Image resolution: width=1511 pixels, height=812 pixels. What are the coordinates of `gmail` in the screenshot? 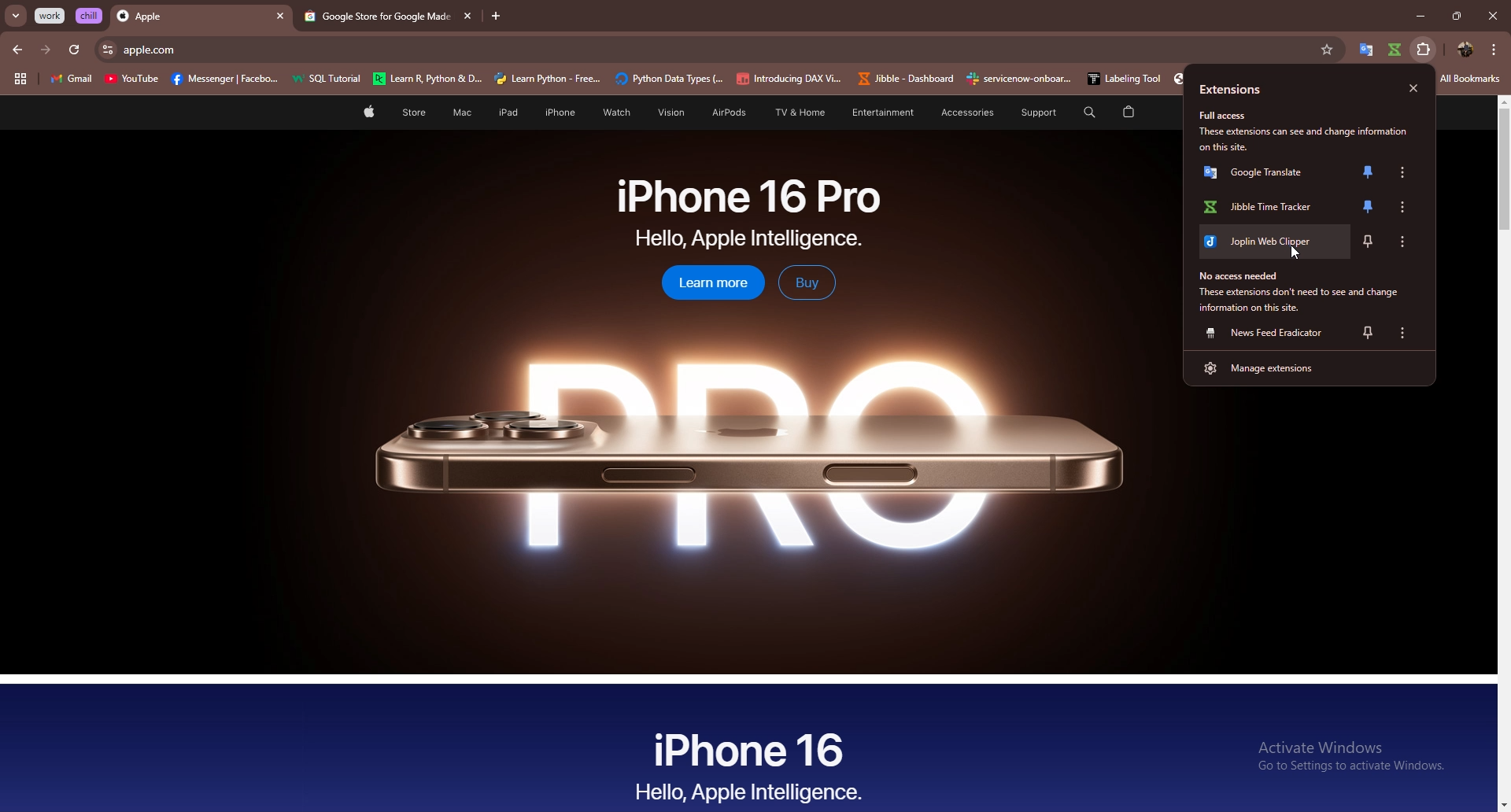 It's located at (71, 80).